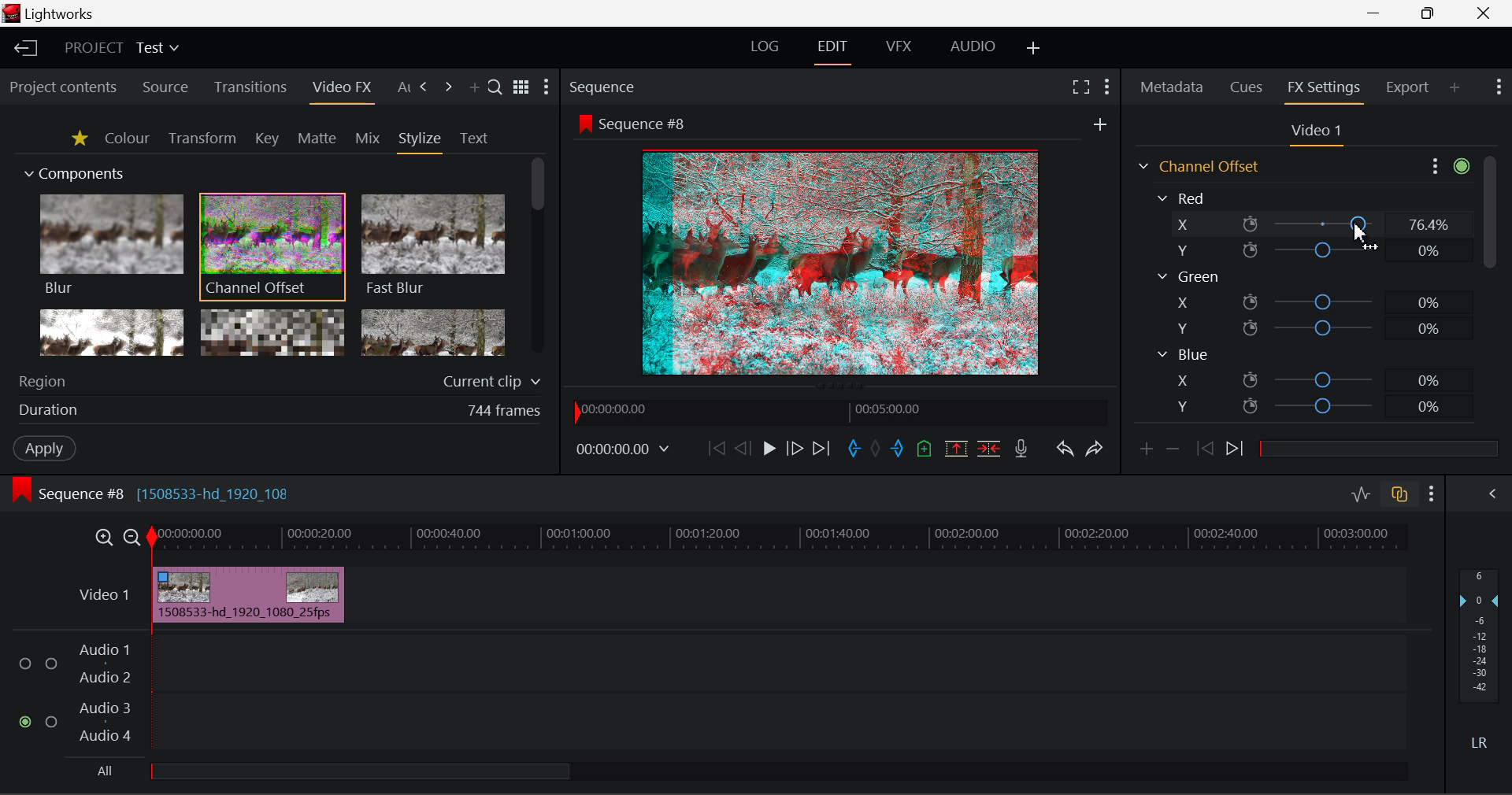 The image size is (1512, 795). Describe the element at coordinates (875, 449) in the screenshot. I see `Remove All Marks` at that location.